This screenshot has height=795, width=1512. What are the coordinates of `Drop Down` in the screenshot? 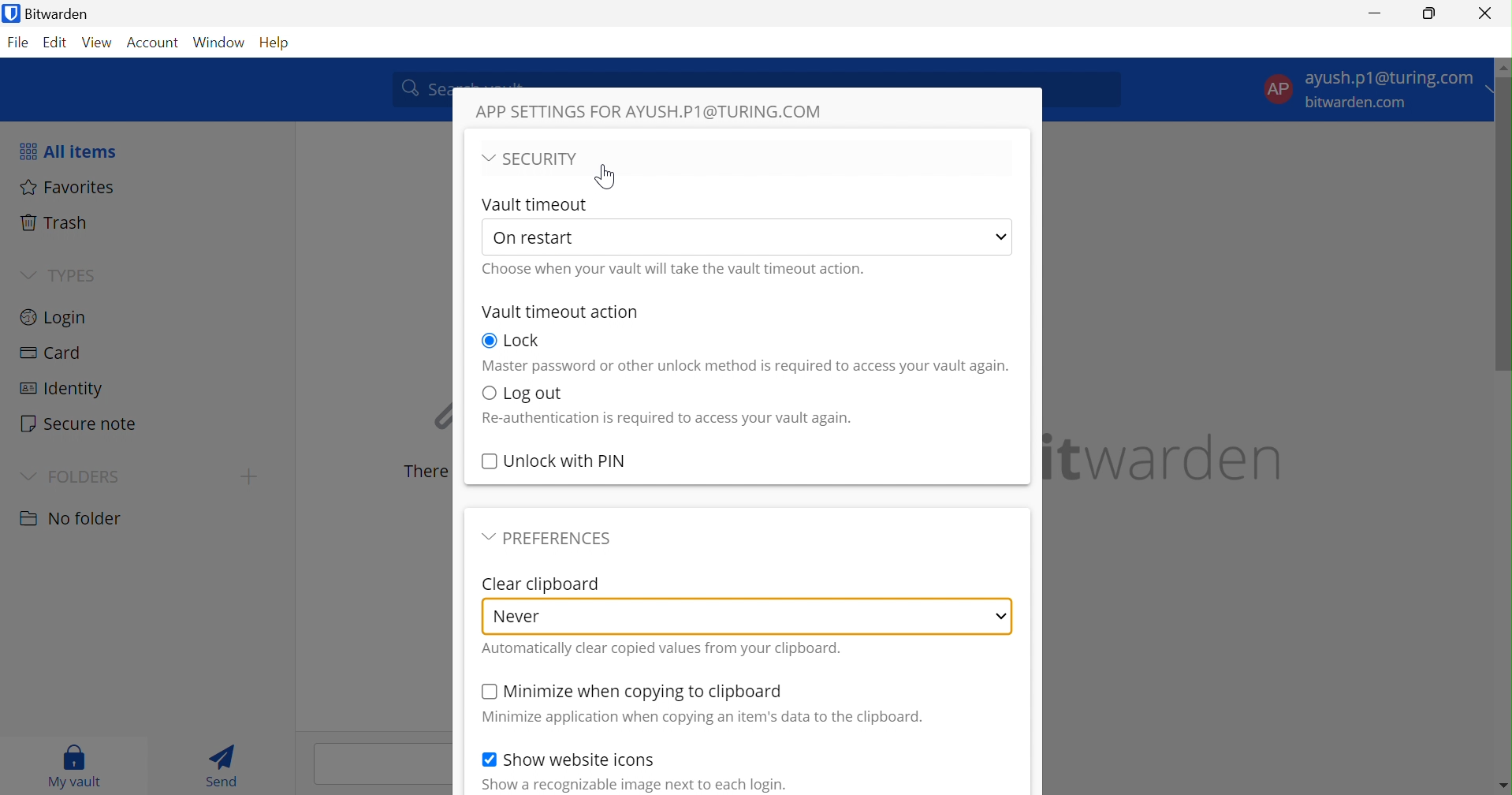 It's located at (1002, 615).